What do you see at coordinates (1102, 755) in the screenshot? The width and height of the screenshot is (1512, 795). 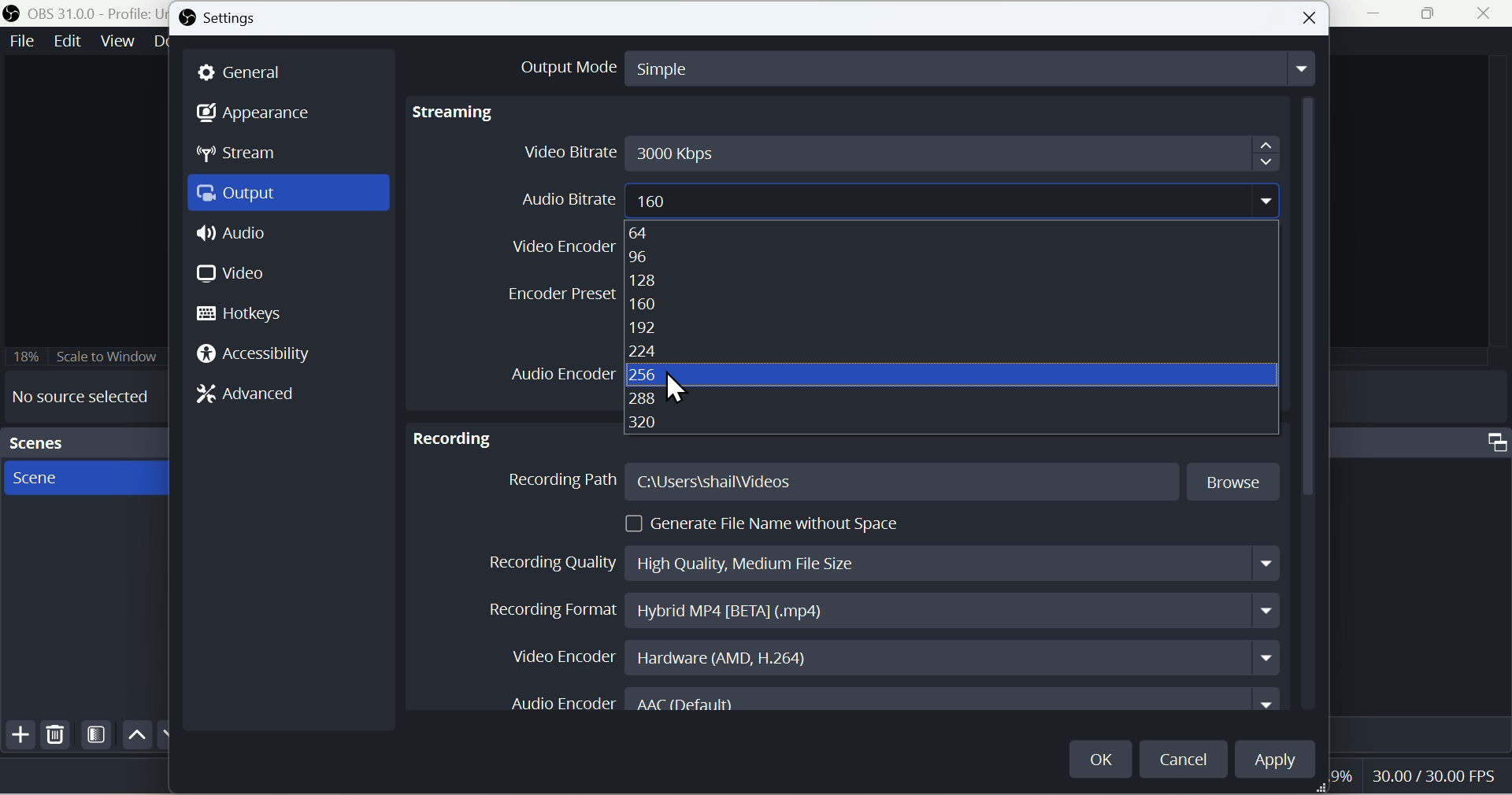 I see `OK` at bounding box center [1102, 755].